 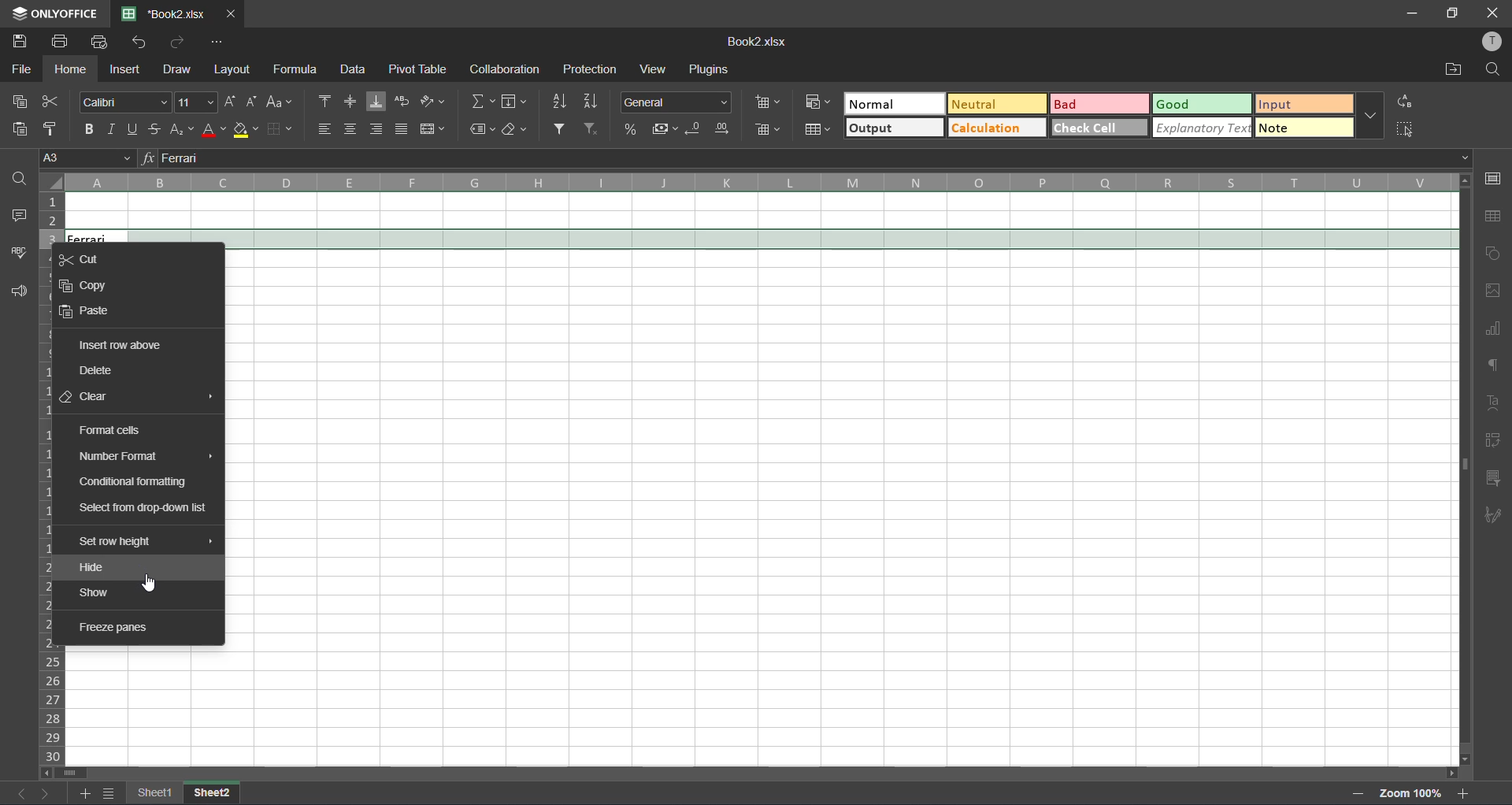 What do you see at coordinates (143, 510) in the screenshot?
I see `select from drop down list` at bounding box center [143, 510].